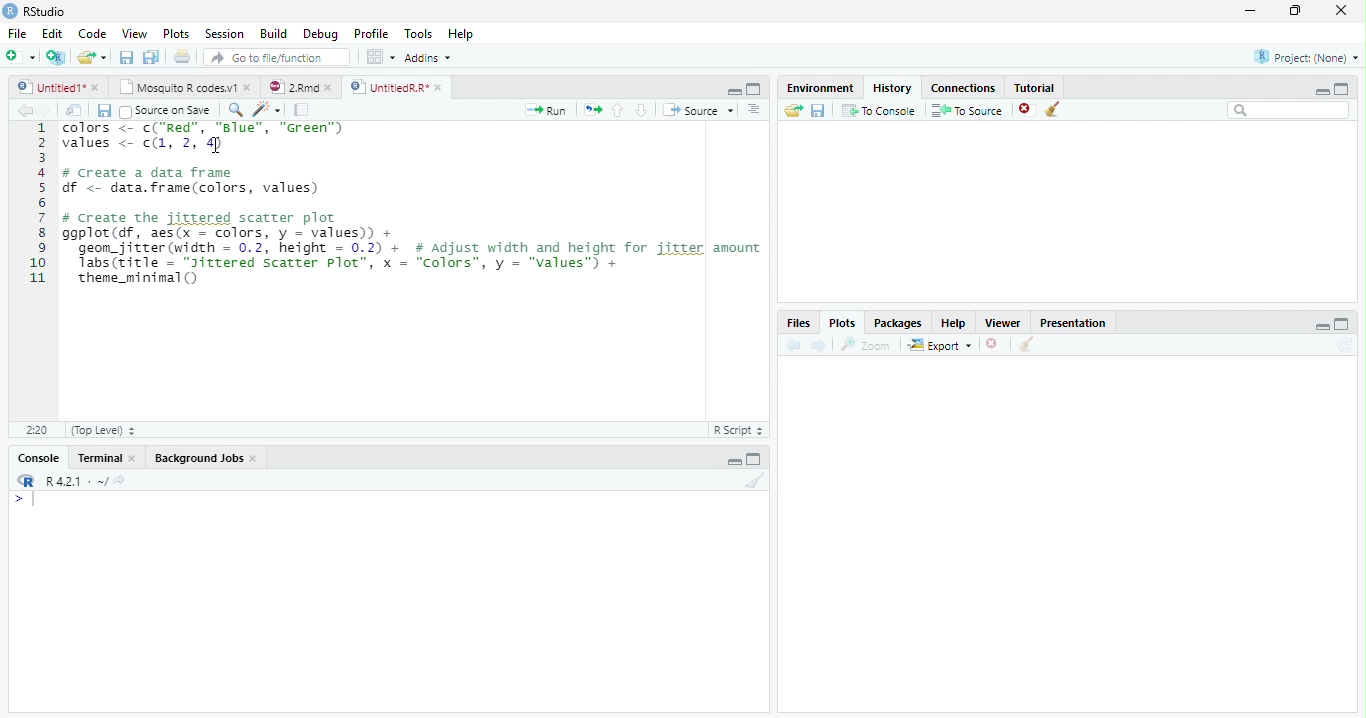 This screenshot has width=1366, height=718. What do you see at coordinates (941, 344) in the screenshot?
I see `Export` at bounding box center [941, 344].